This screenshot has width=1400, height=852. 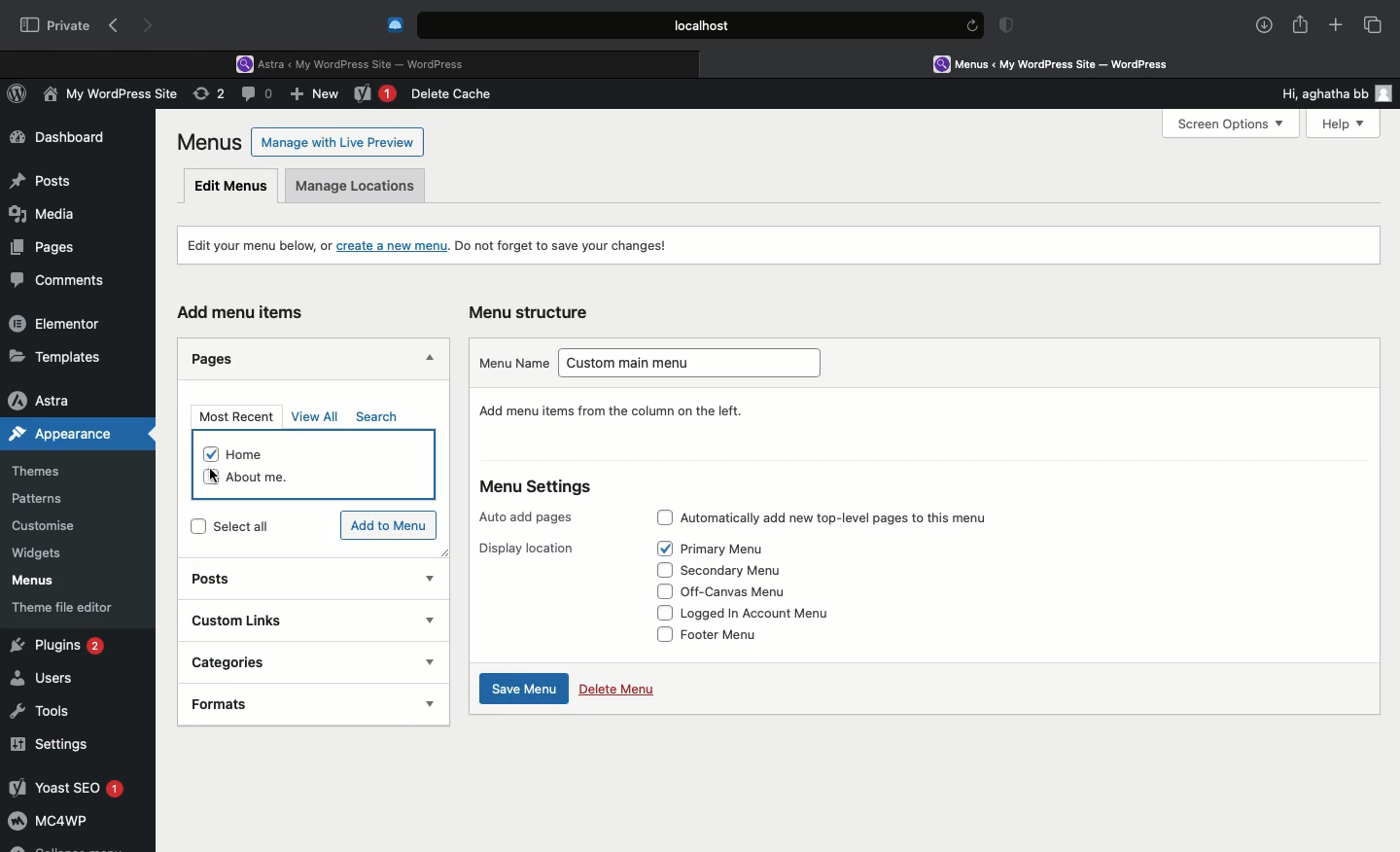 I want to click on Custom main menu, so click(x=697, y=366).